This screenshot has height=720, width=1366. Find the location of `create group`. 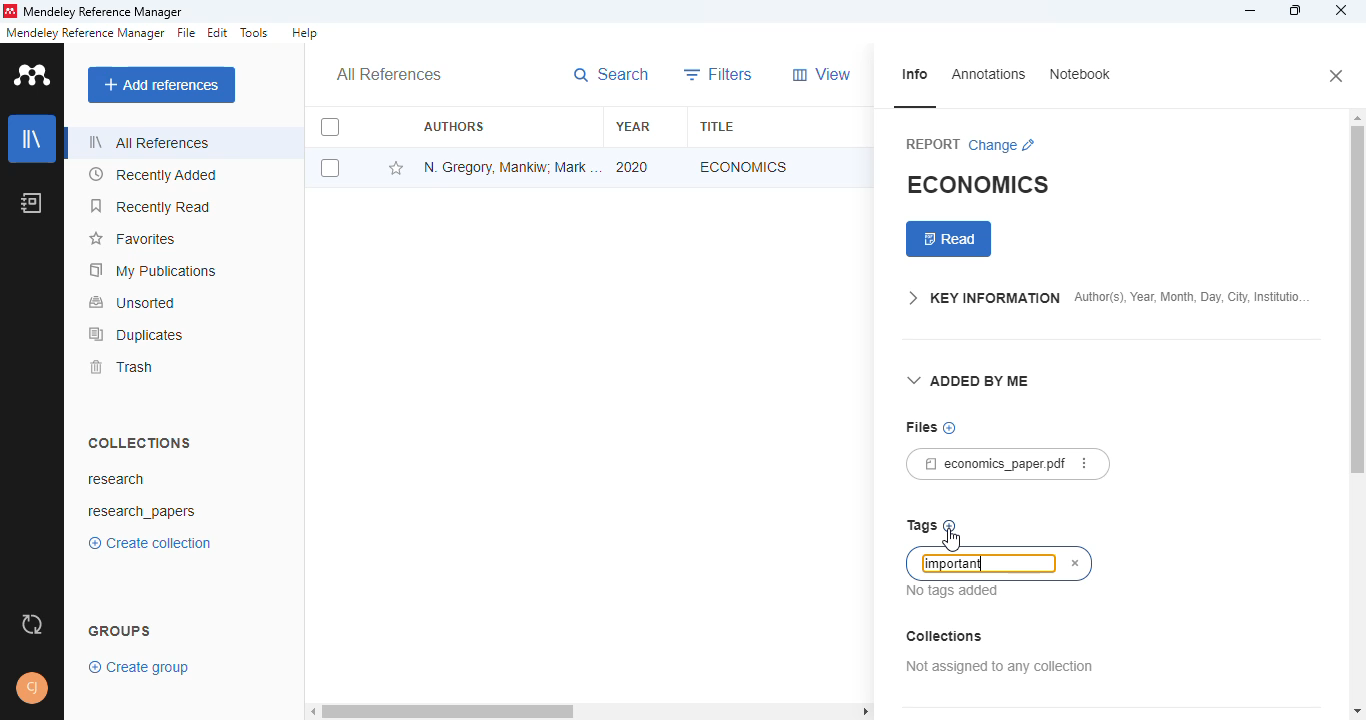

create group is located at coordinates (139, 668).